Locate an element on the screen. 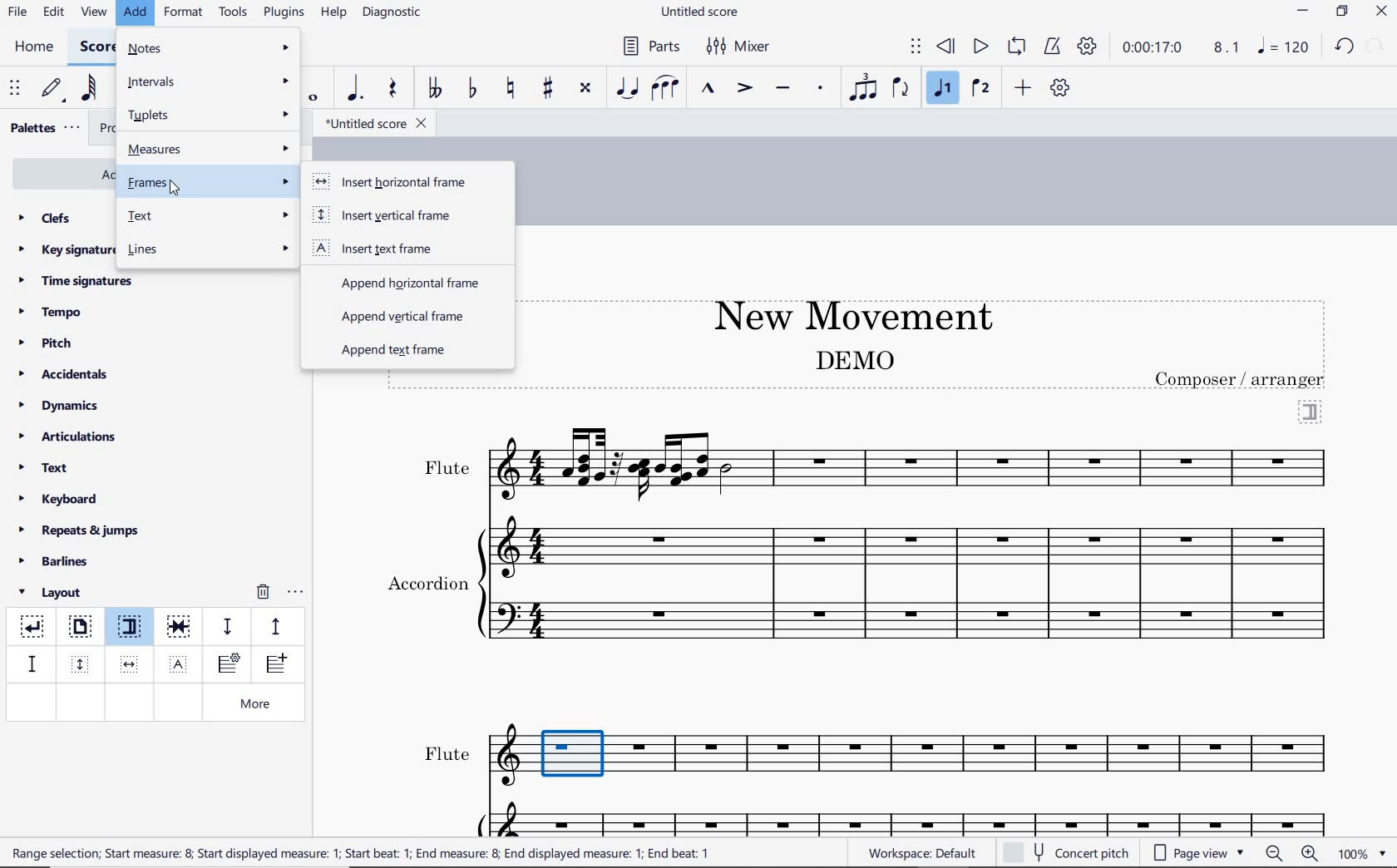 The height and width of the screenshot is (868, 1397). insert one measure before selection is located at coordinates (274, 666).